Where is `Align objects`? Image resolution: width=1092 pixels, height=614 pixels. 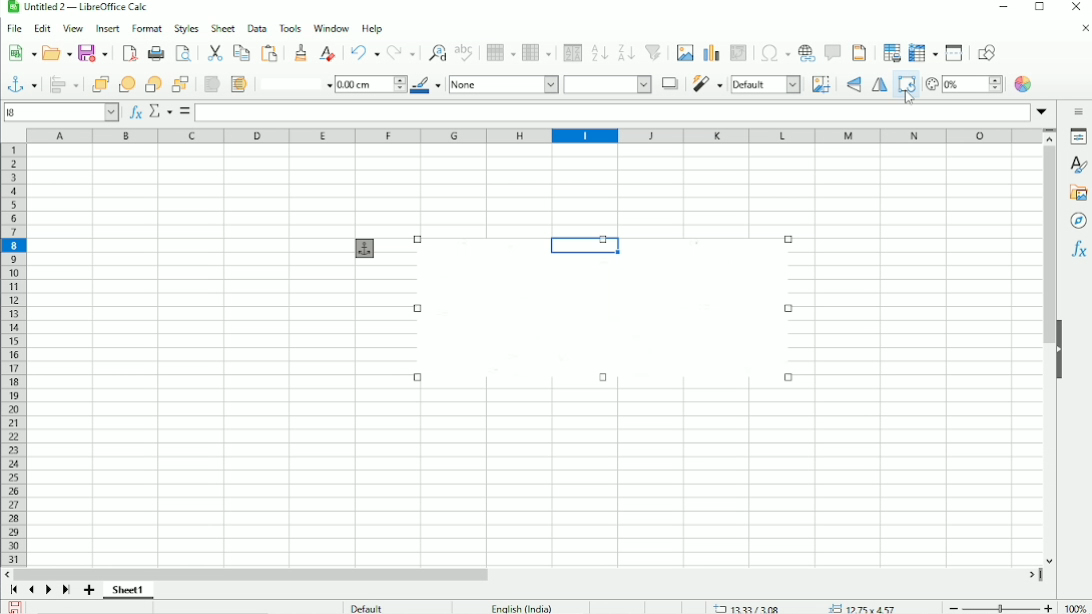
Align objects is located at coordinates (63, 84).